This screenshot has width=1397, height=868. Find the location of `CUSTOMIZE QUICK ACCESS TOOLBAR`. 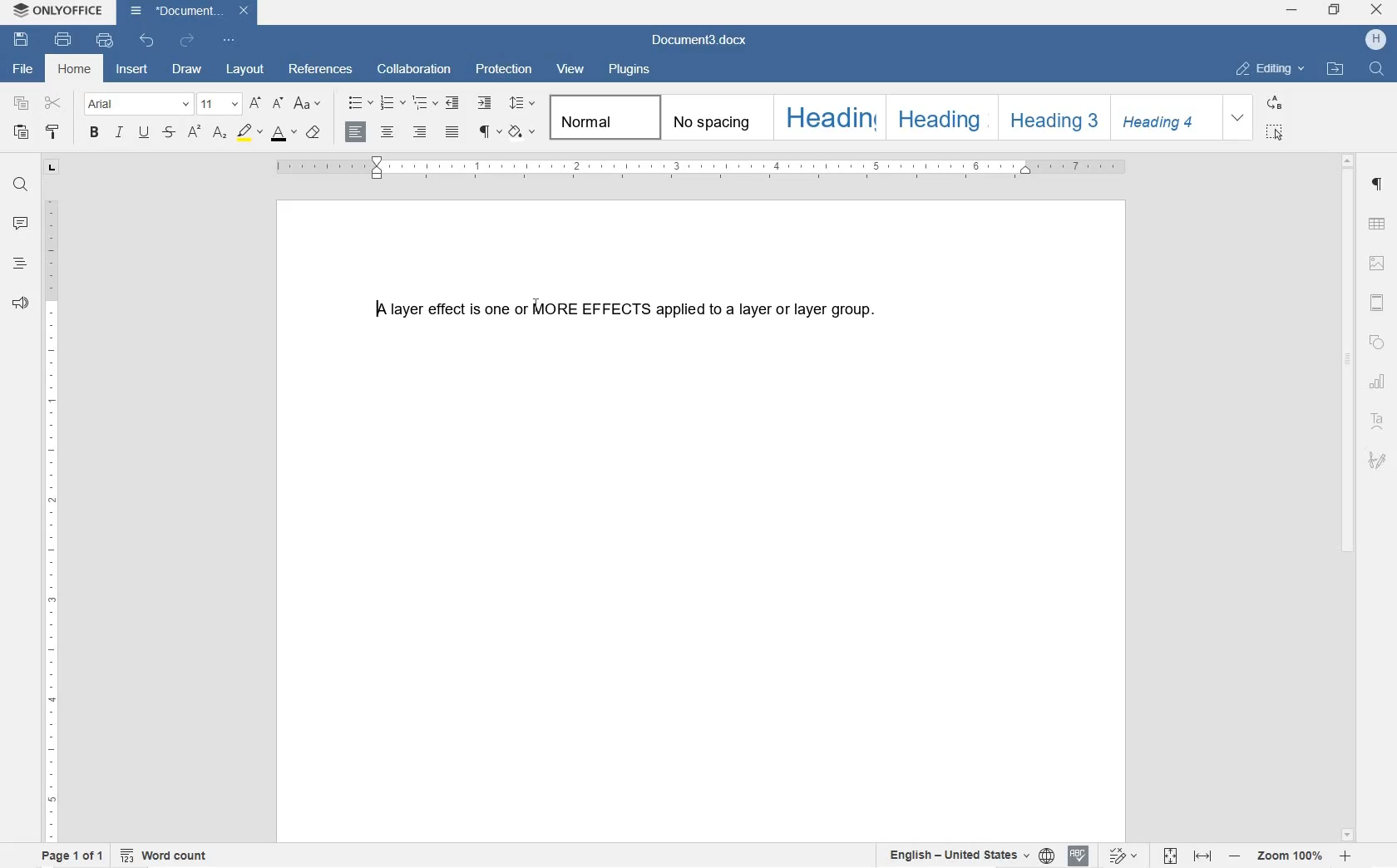

CUSTOMIZE QUICK ACCESS TOOLBAR is located at coordinates (230, 42).